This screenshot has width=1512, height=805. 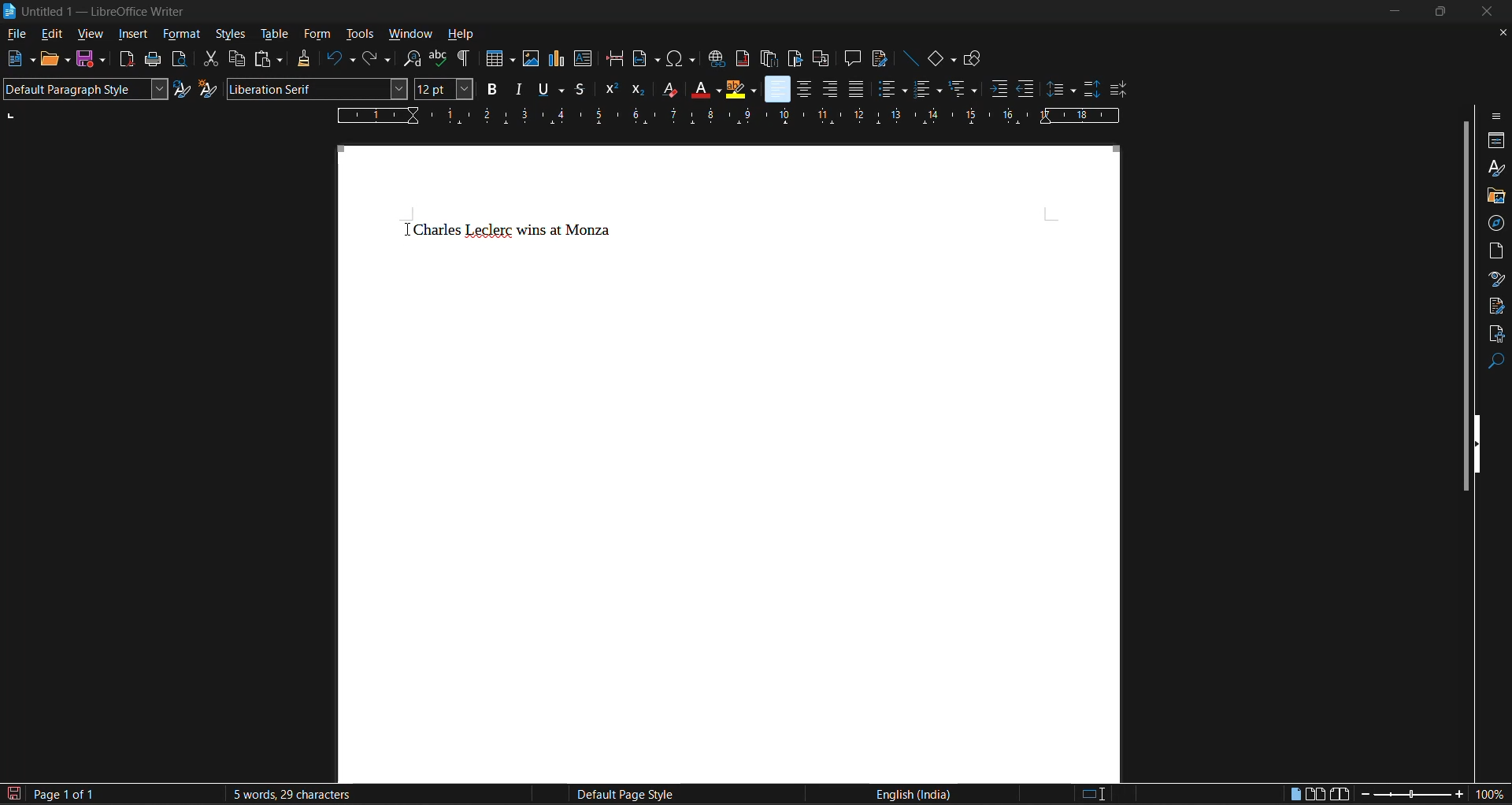 What do you see at coordinates (441, 58) in the screenshot?
I see `check spelling` at bounding box center [441, 58].